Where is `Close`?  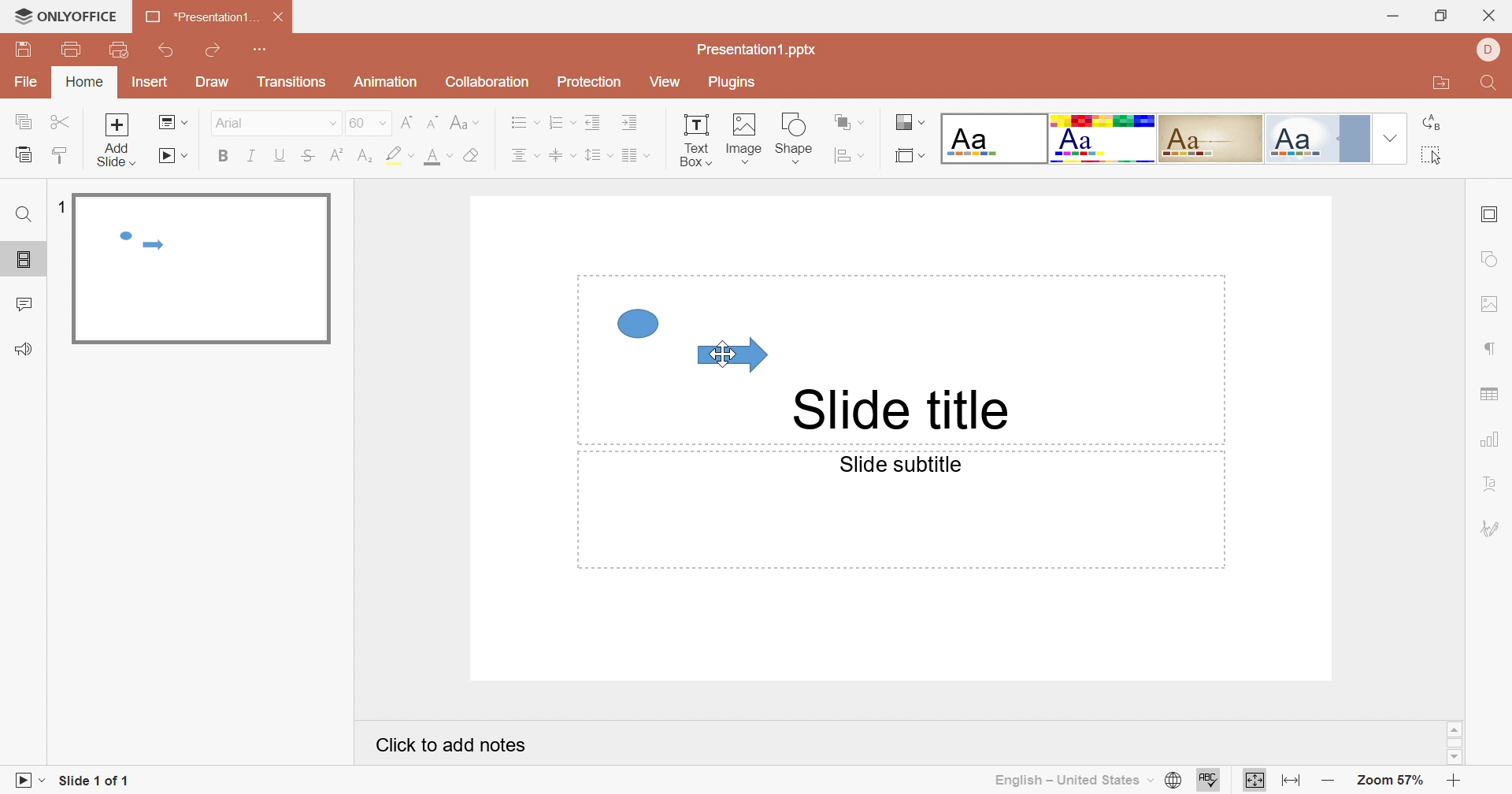 Close is located at coordinates (280, 18).